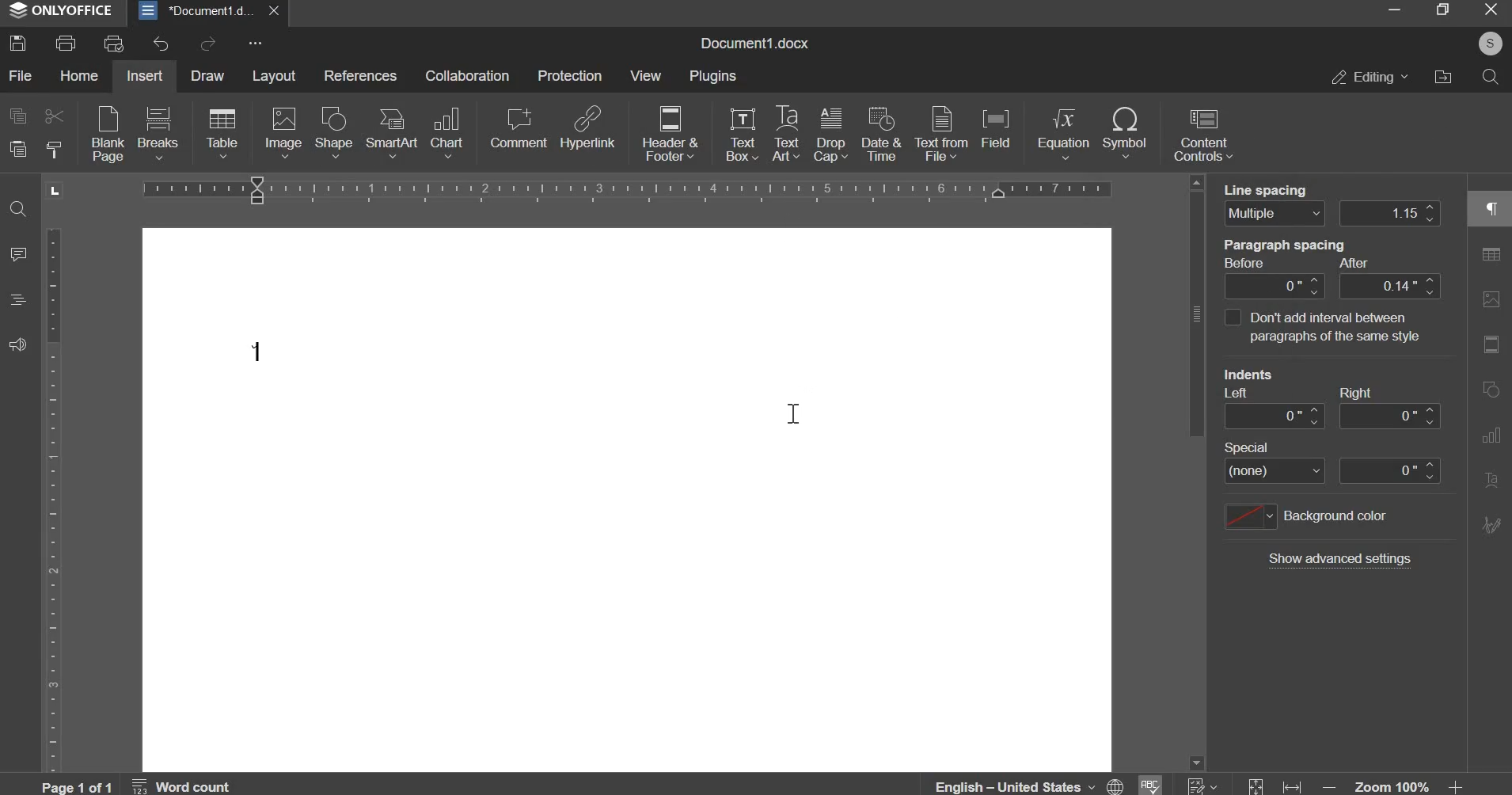  What do you see at coordinates (16, 299) in the screenshot?
I see `headings` at bounding box center [16, 299].